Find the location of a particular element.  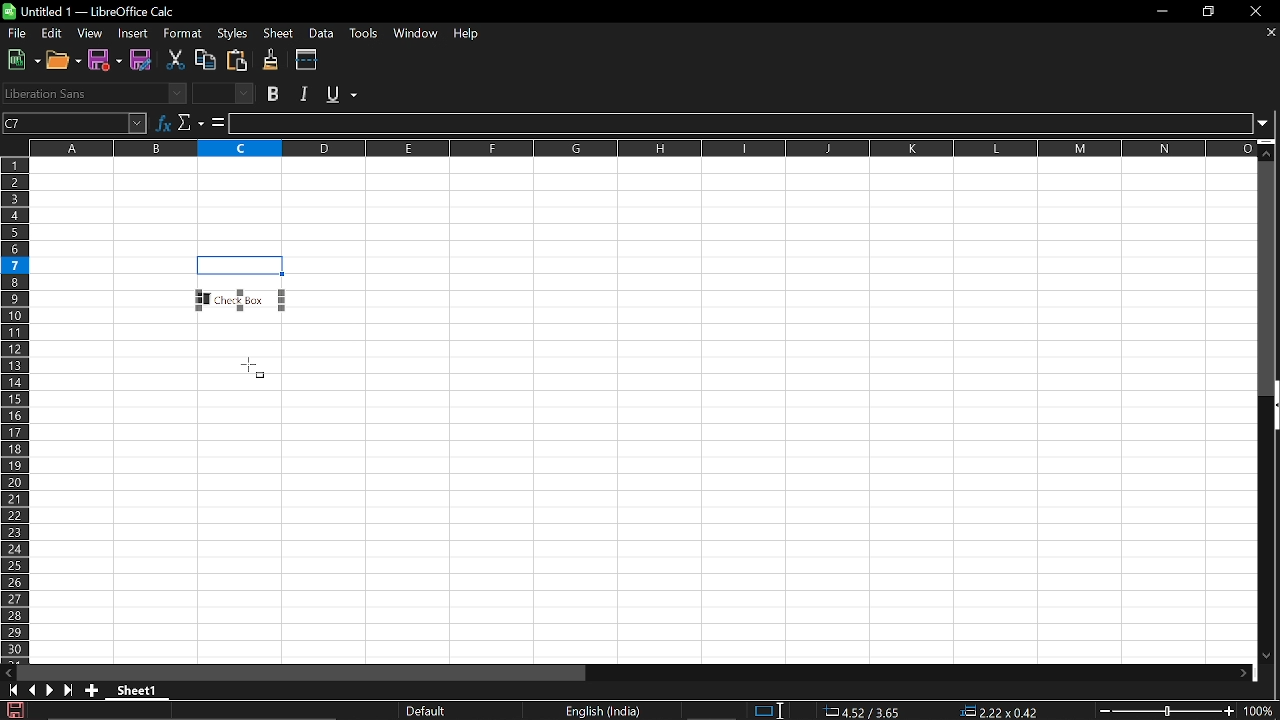

Undetline is located at coordinates (341, 93).